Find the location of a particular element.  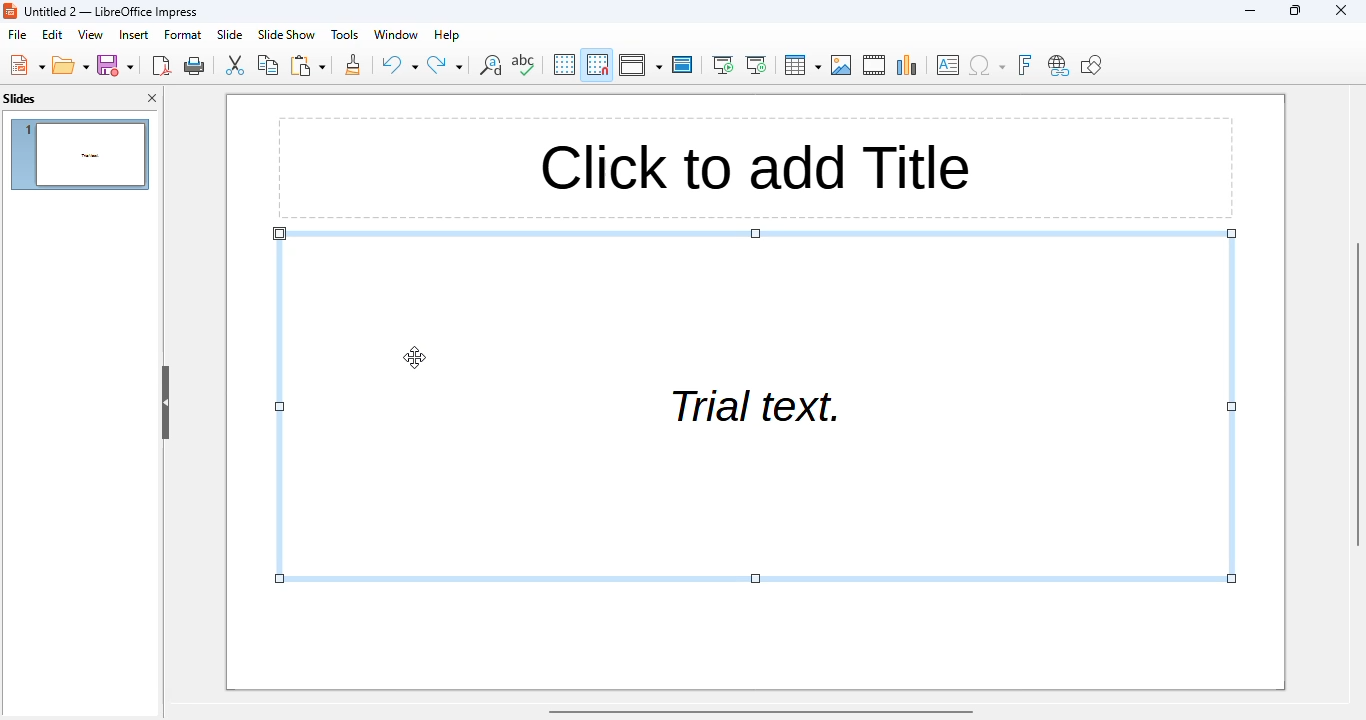

close is located at coordinates (1341, 10).